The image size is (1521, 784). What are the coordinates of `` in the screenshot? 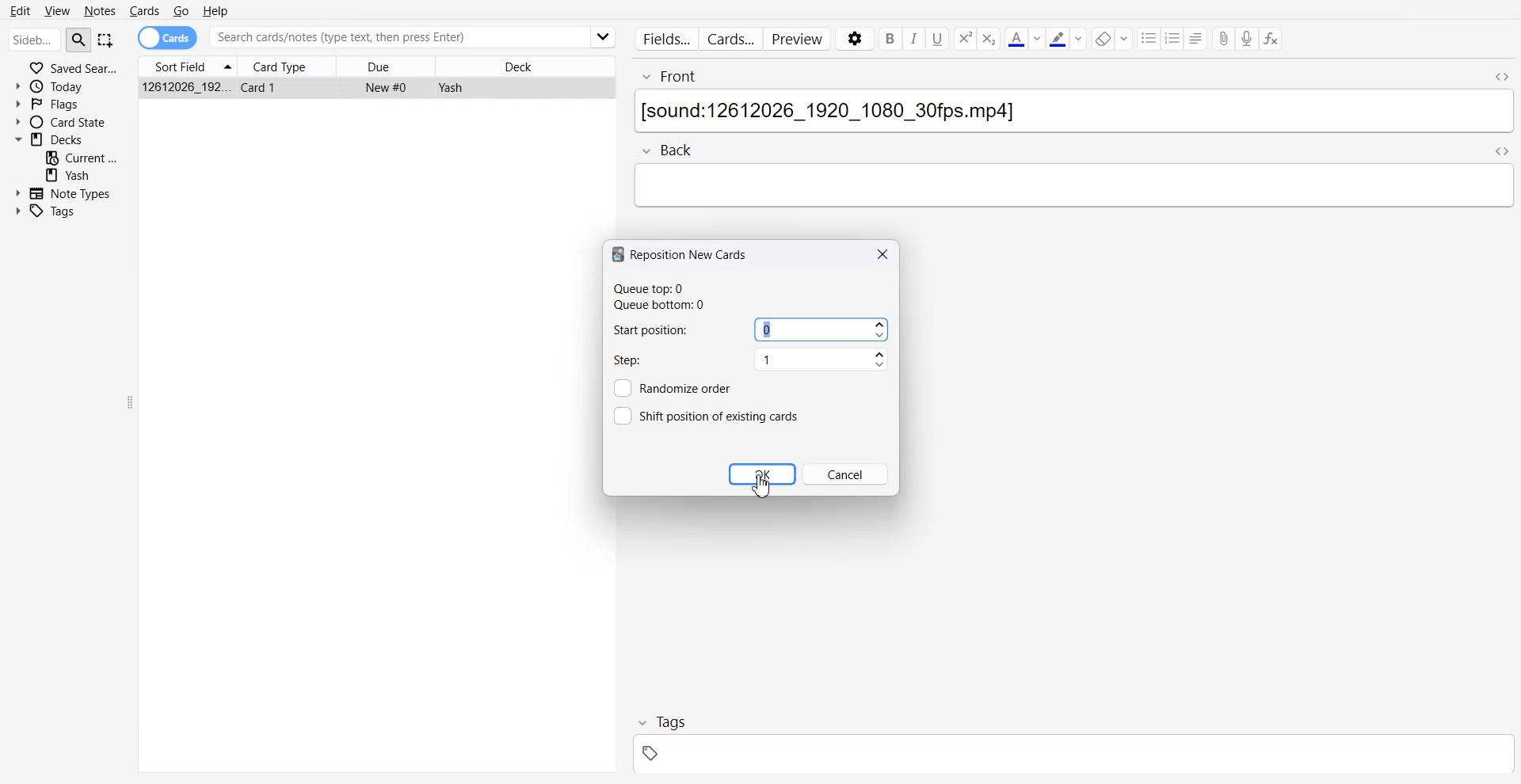 It's located at (600, 36).